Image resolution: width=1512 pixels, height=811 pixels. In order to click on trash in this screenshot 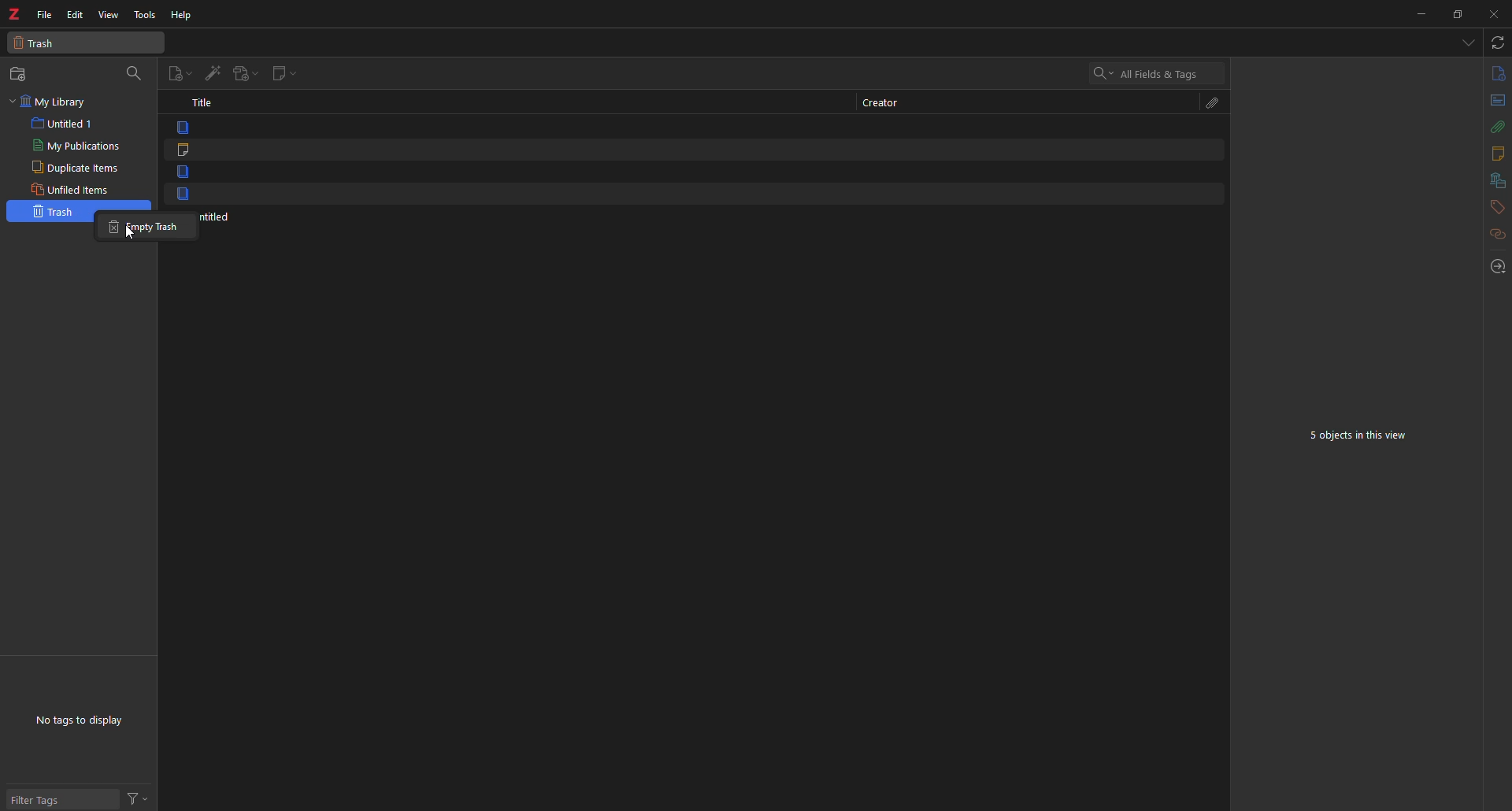, I will do `click(85, 42)`.